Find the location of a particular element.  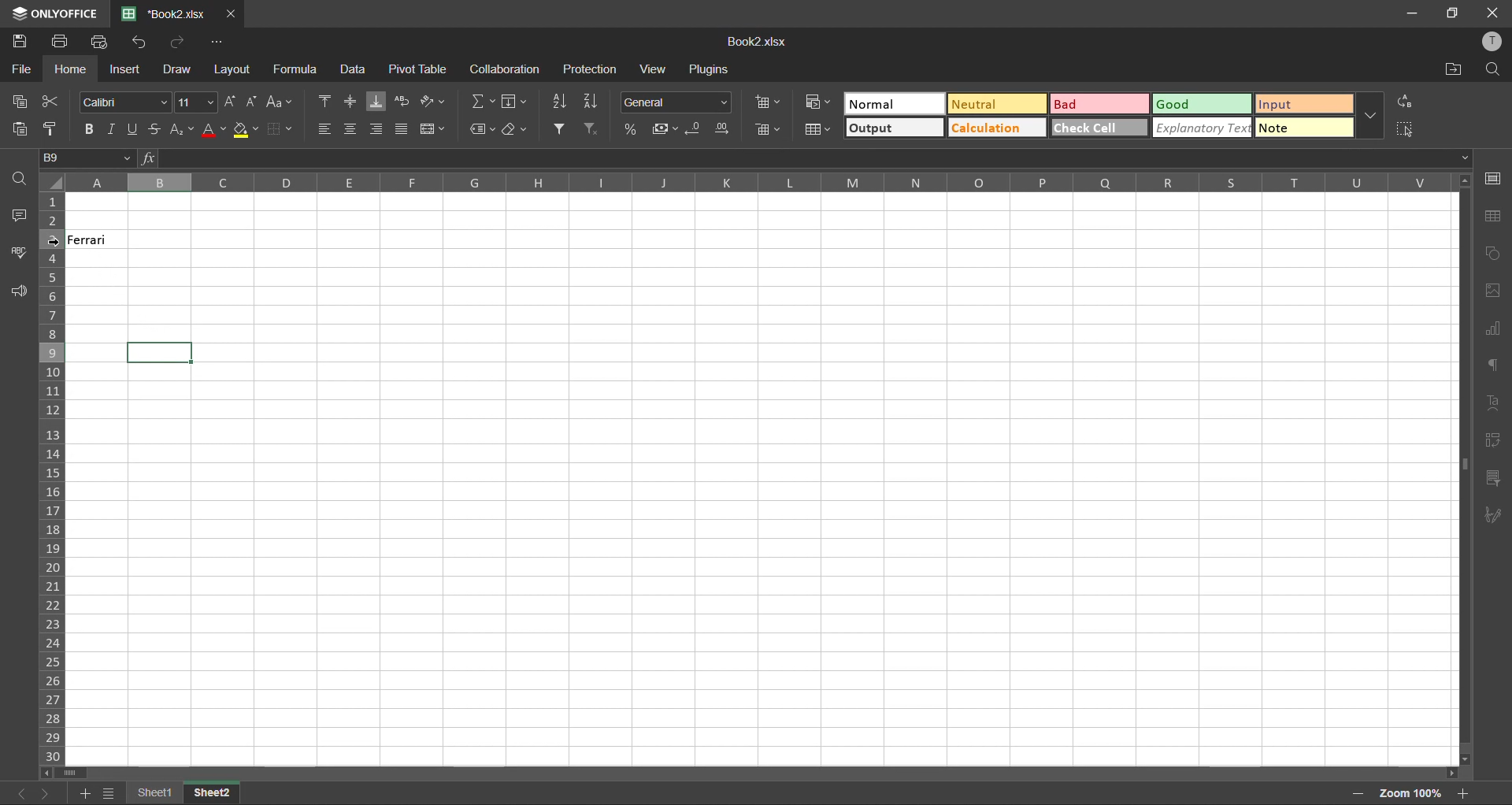

redo is located at coordinates (177, 43).